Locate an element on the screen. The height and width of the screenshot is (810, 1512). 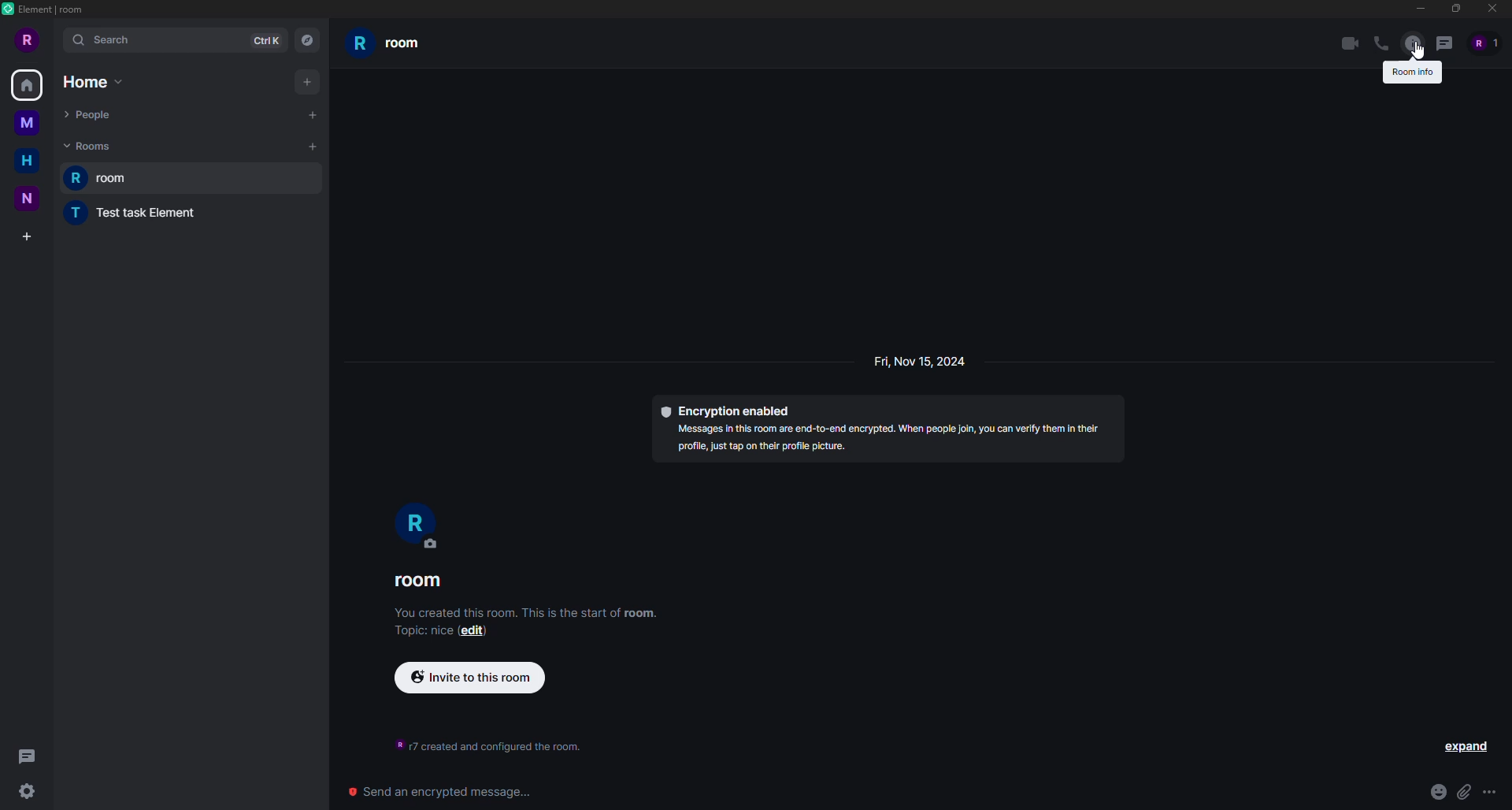
room R is located at coordinates (418, 527).